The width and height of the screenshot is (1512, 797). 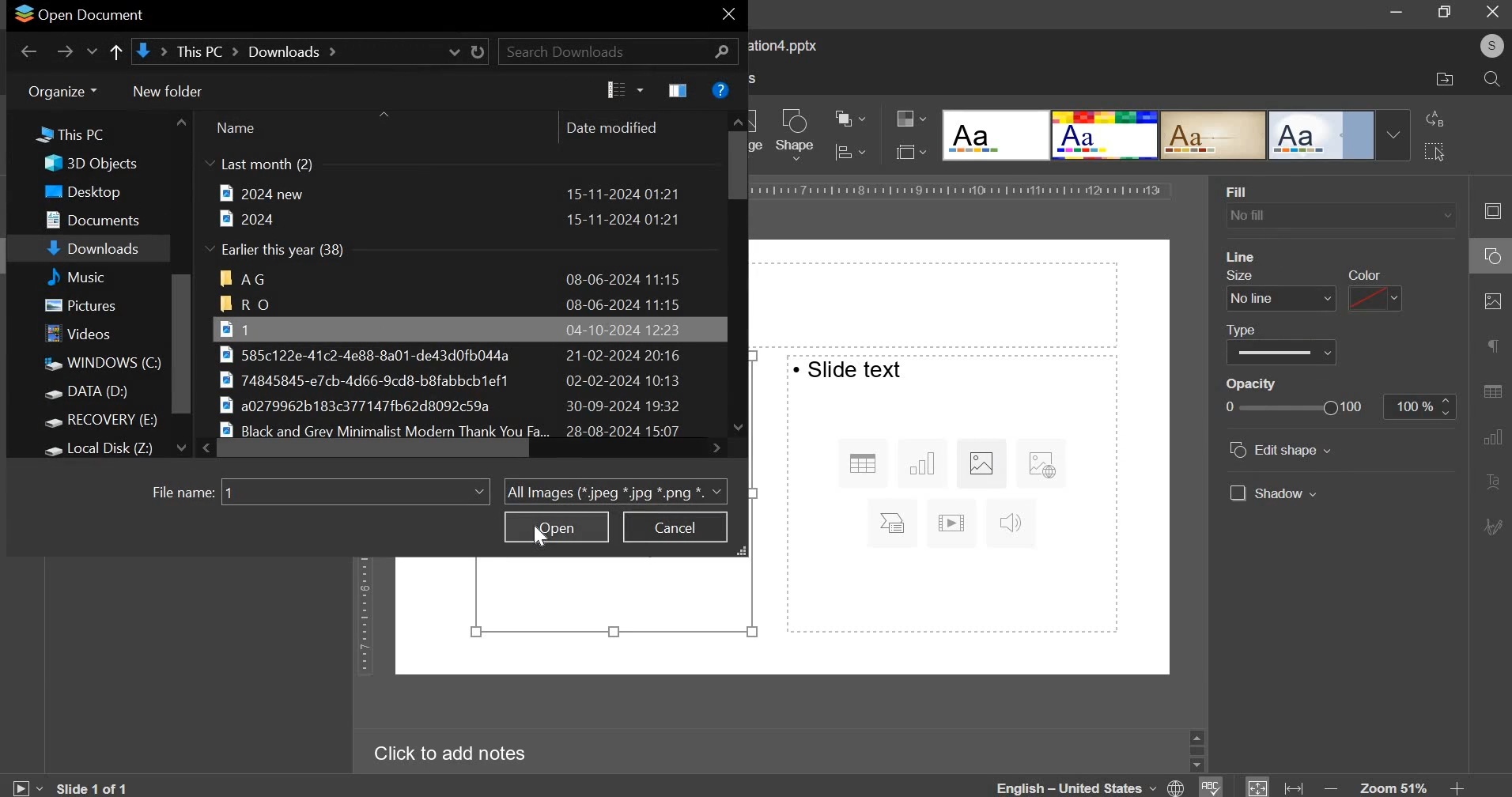 I want to click on line type, so click(x=1281, y=353).